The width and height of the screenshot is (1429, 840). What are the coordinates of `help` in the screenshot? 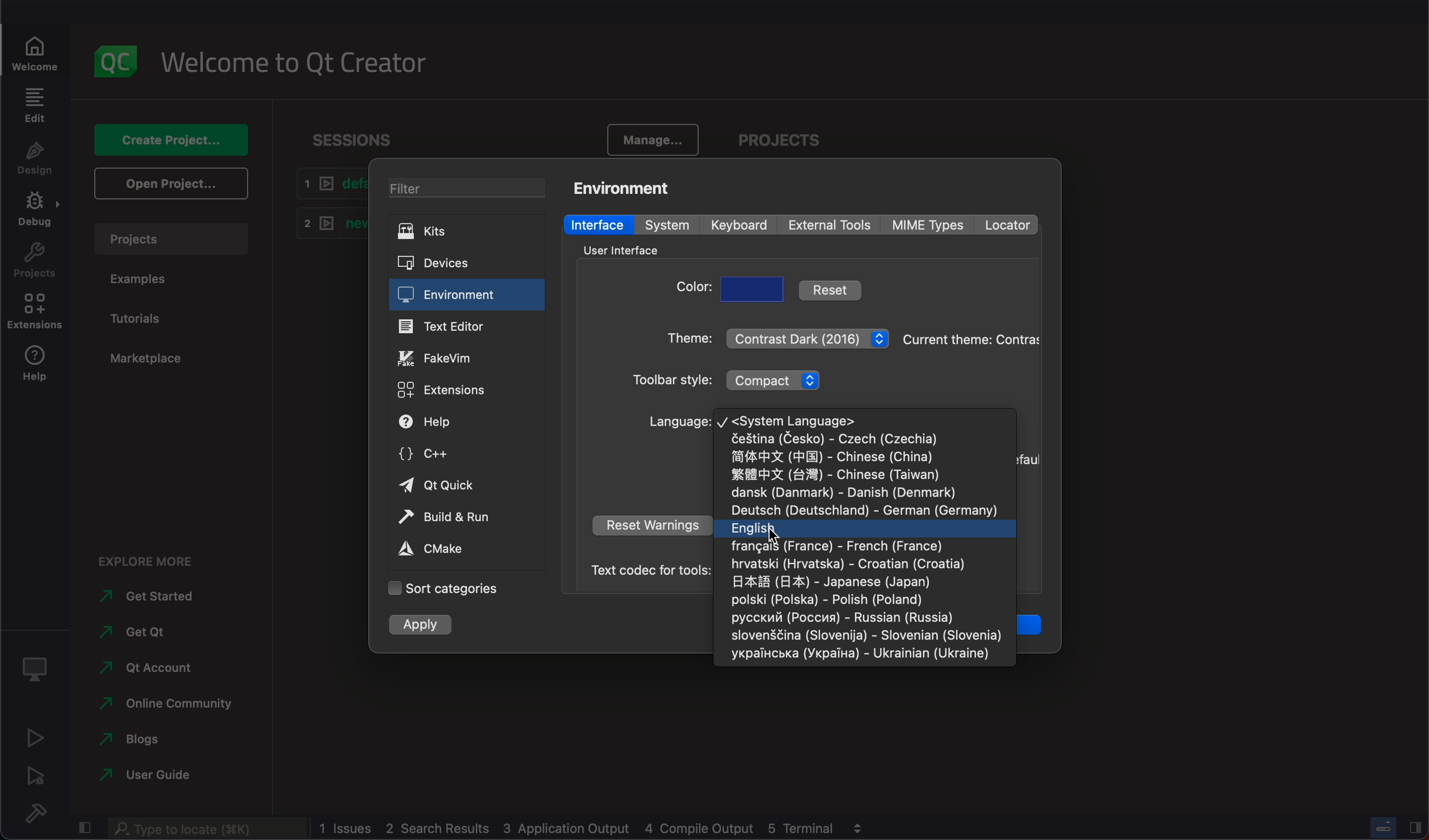 It's located at (36, 366).